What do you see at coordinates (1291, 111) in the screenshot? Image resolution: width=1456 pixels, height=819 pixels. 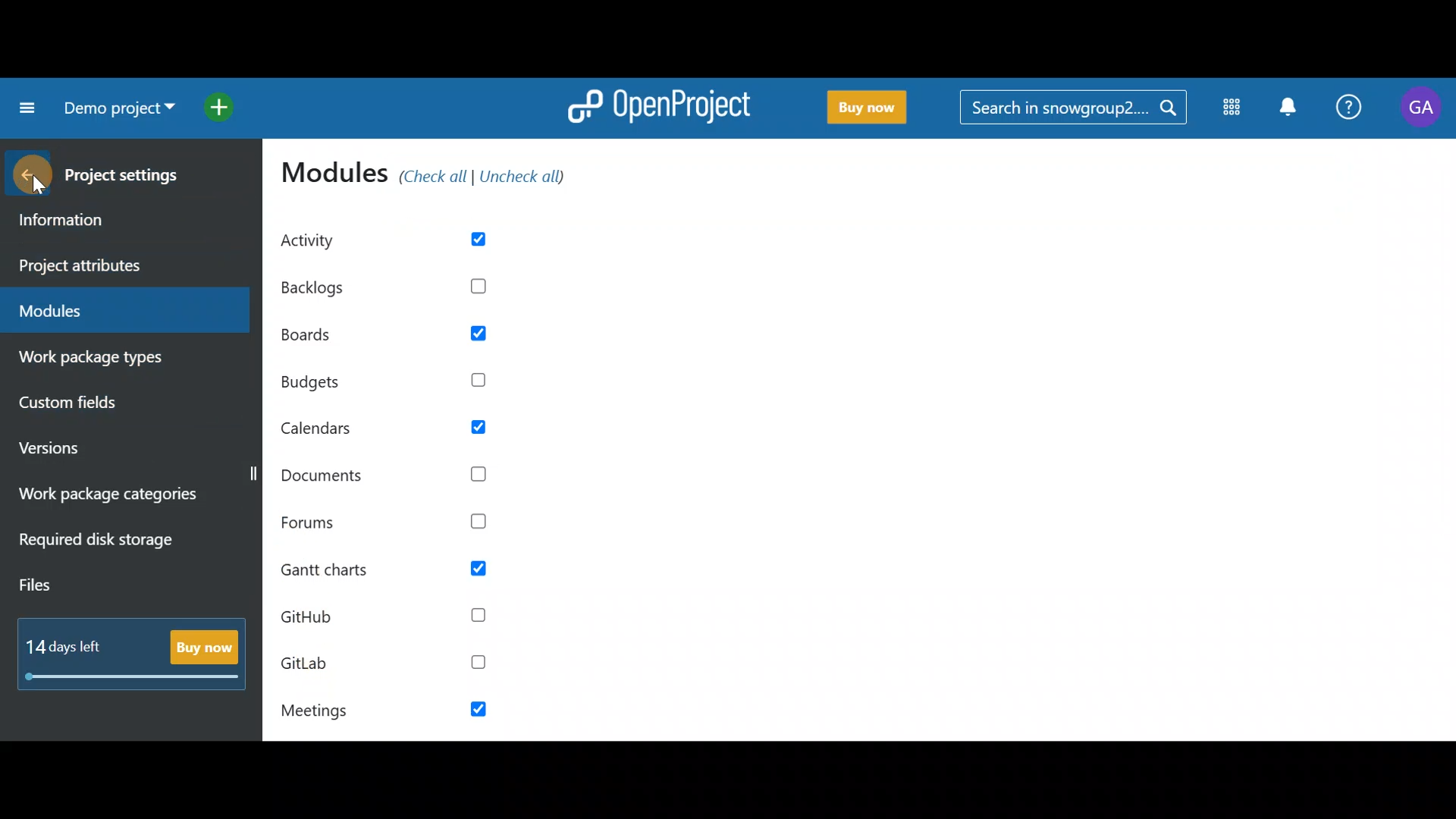 I see `Notification centre` at bounding box center [1291, 111].